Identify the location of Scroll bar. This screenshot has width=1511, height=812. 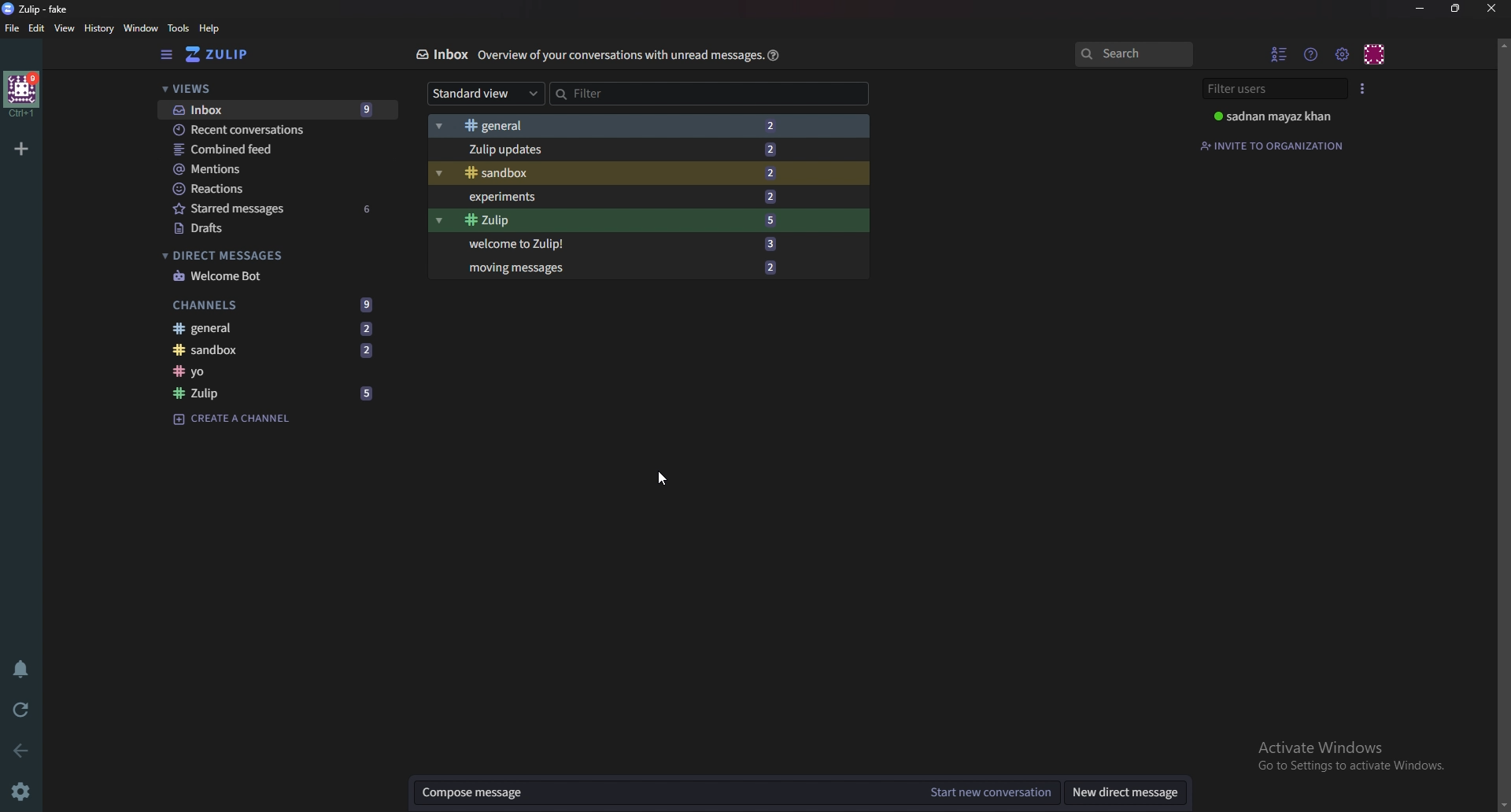
(1503, 426).